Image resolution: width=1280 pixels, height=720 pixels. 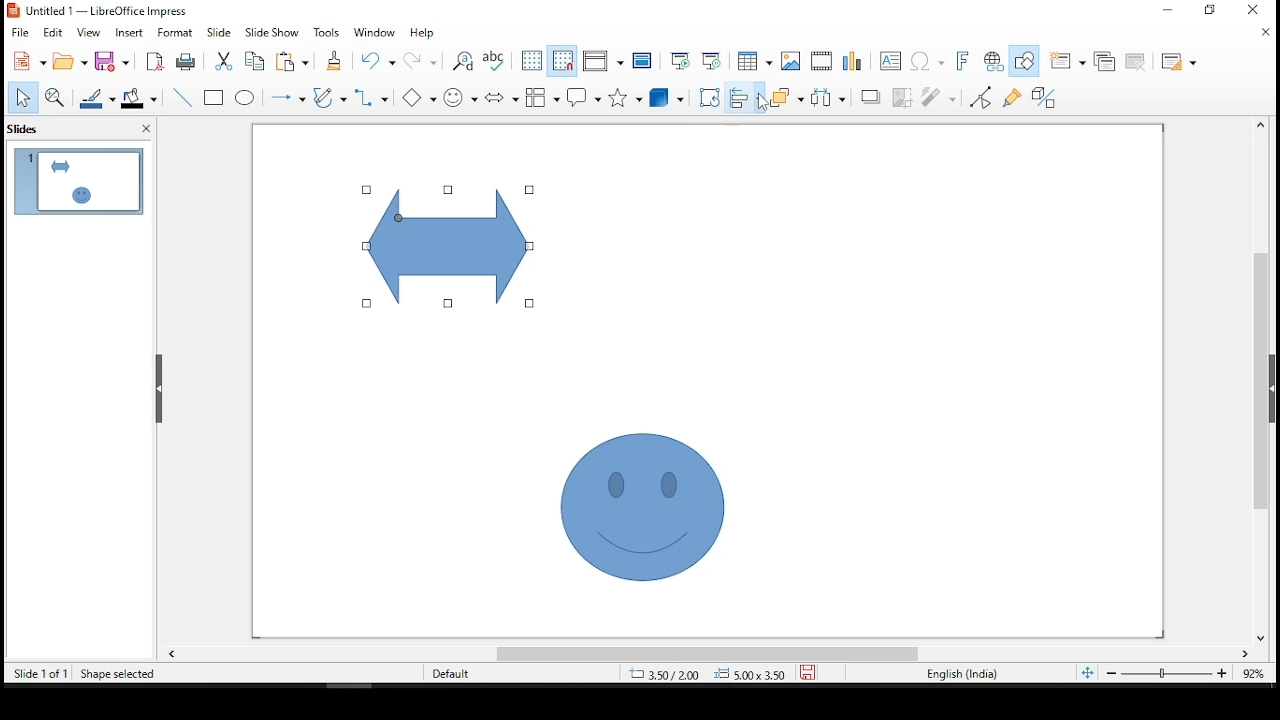 What do you see at coordinates (1103, 58) in the screenshot?
I see `duplicate slide` at bounding box center [1103, 58].